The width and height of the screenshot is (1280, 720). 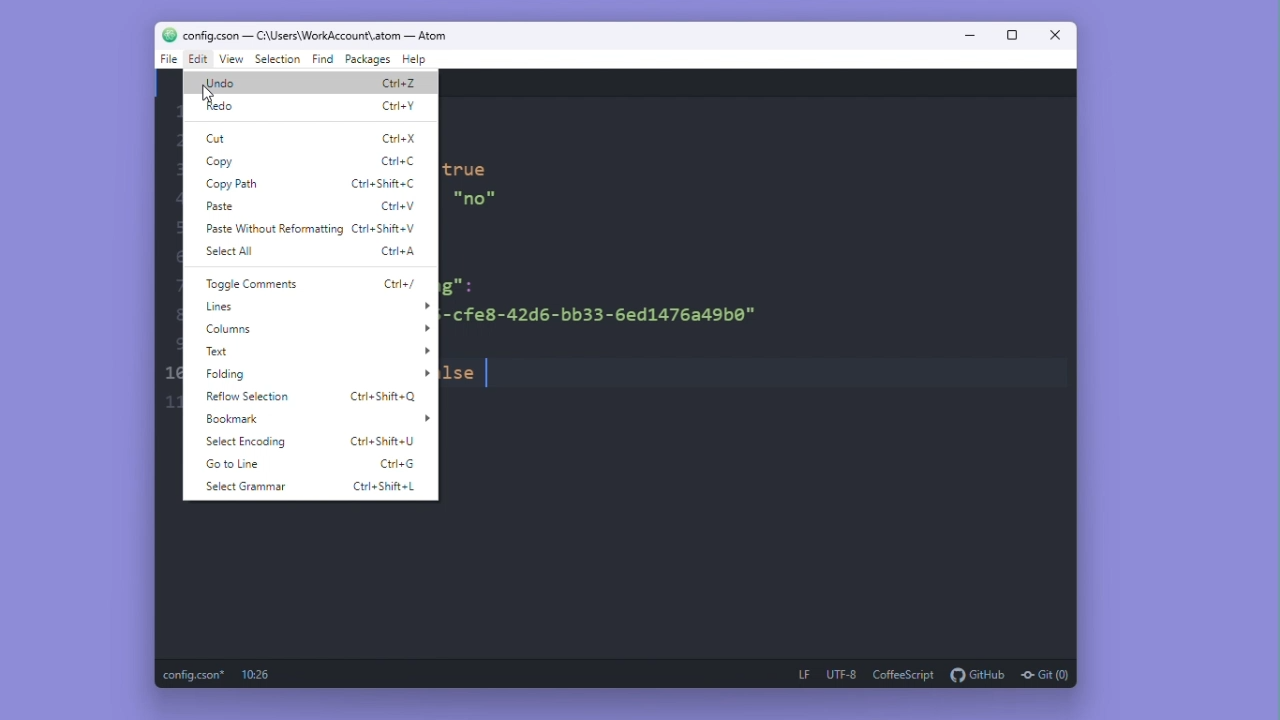 I want to click on lines, so click(x=314, y=306).